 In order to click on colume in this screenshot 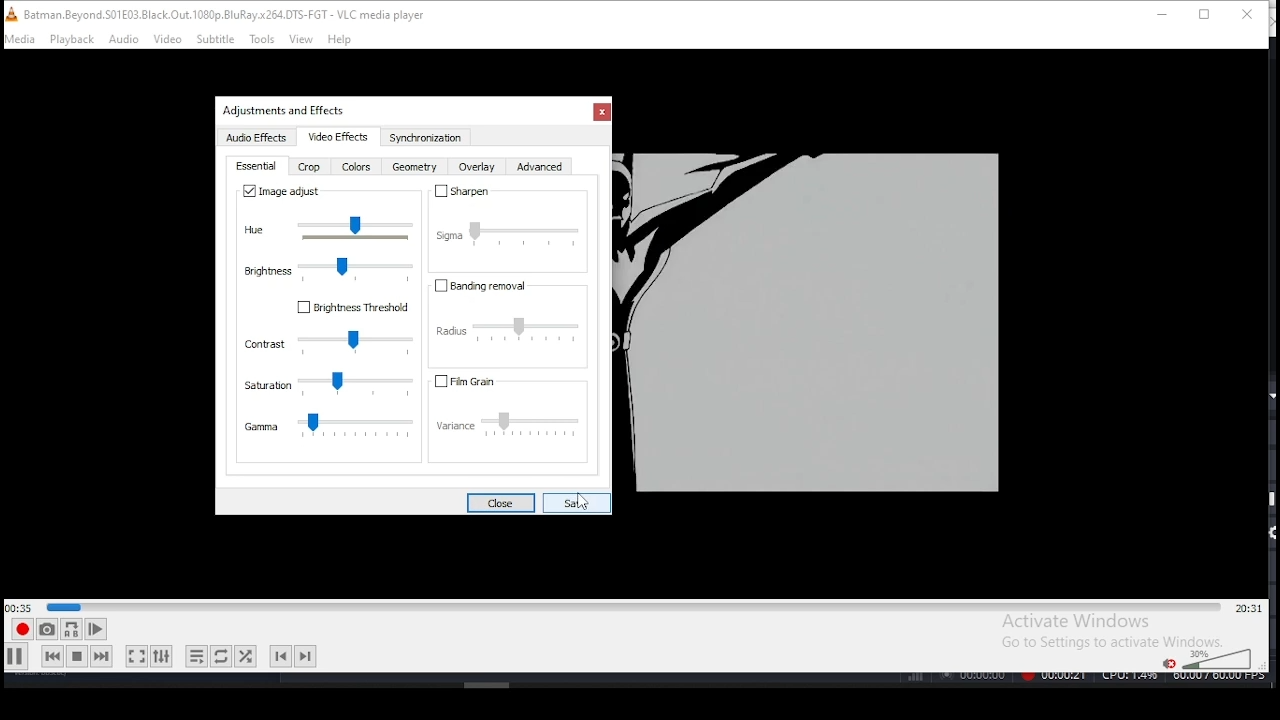, I will do `click(1216, 658)`.